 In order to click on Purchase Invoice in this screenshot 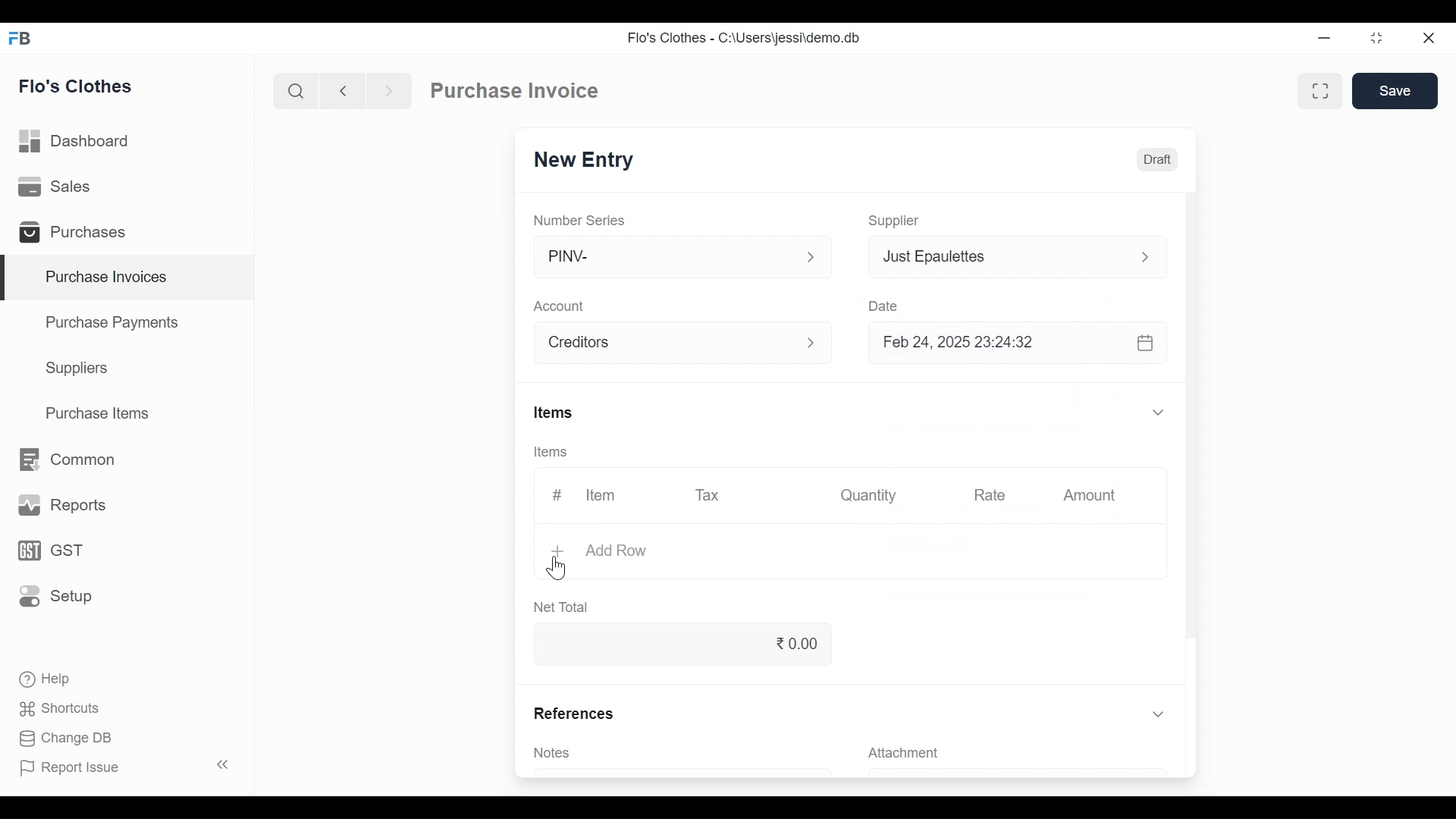, I will do `click(514, 90)`.